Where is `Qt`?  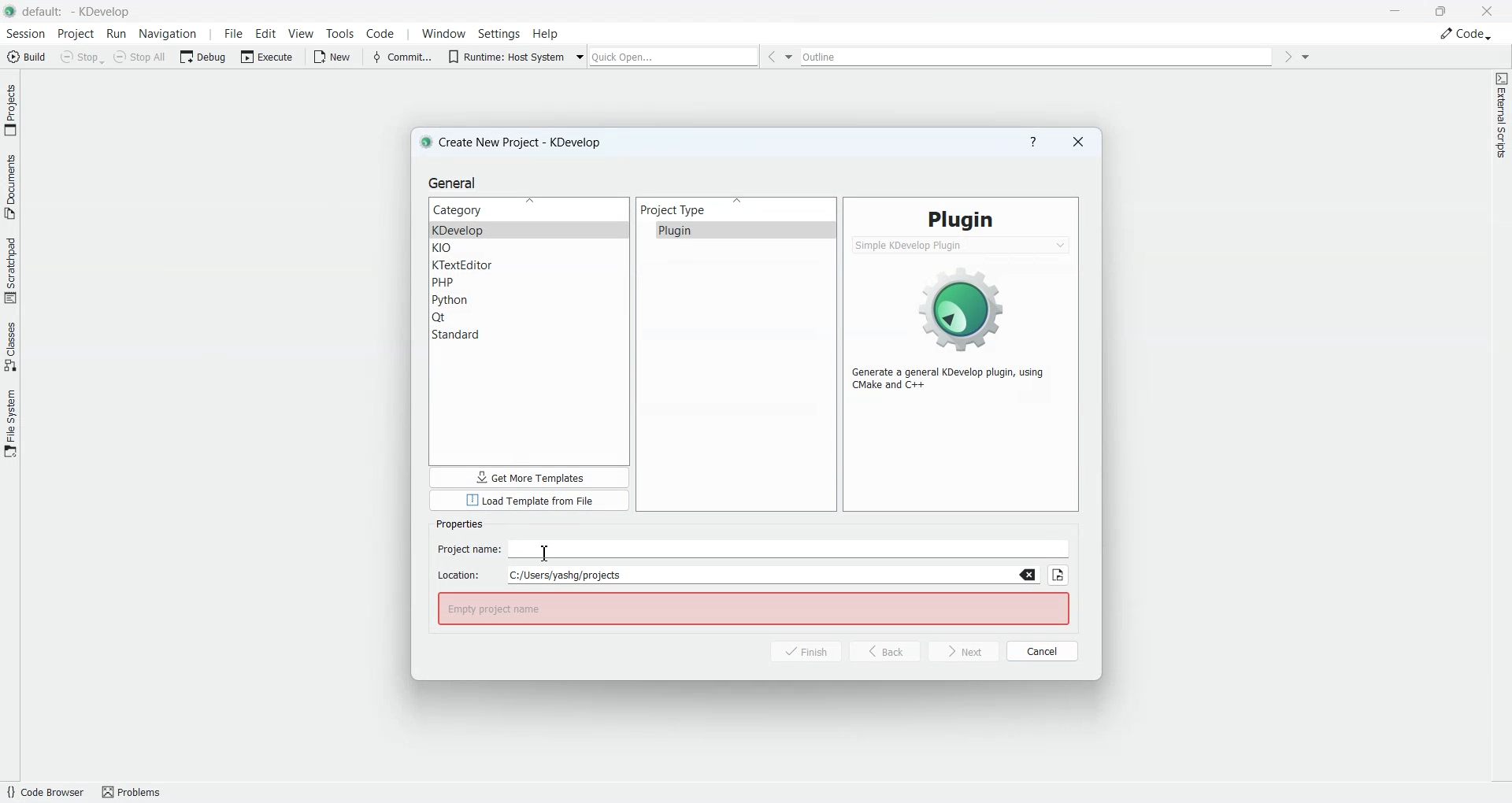
Qt is located at coordinates (530, 317).